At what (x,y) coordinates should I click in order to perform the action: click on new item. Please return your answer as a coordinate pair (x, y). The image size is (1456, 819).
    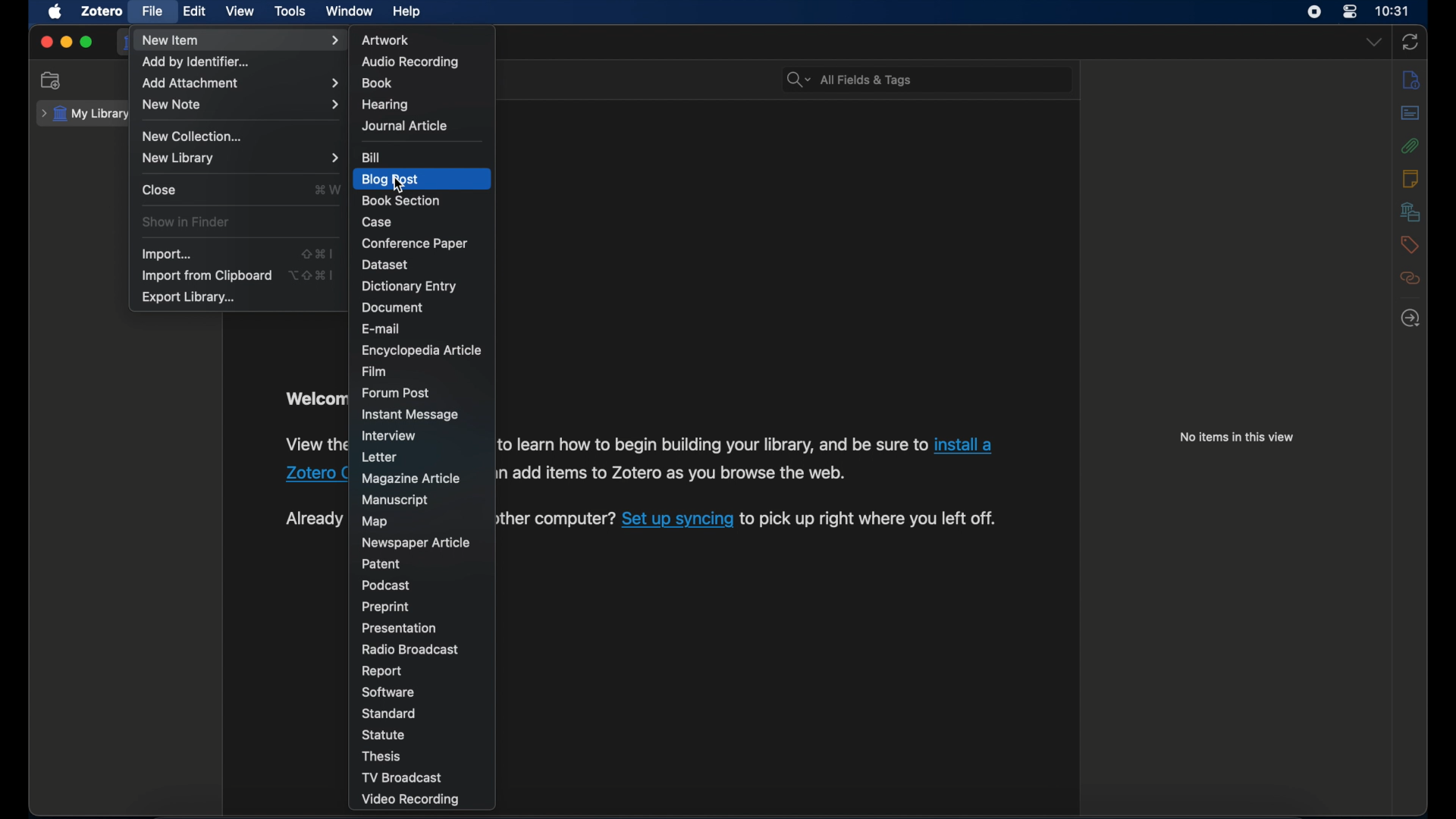
    Looking at the image, I should click on (241, 40).